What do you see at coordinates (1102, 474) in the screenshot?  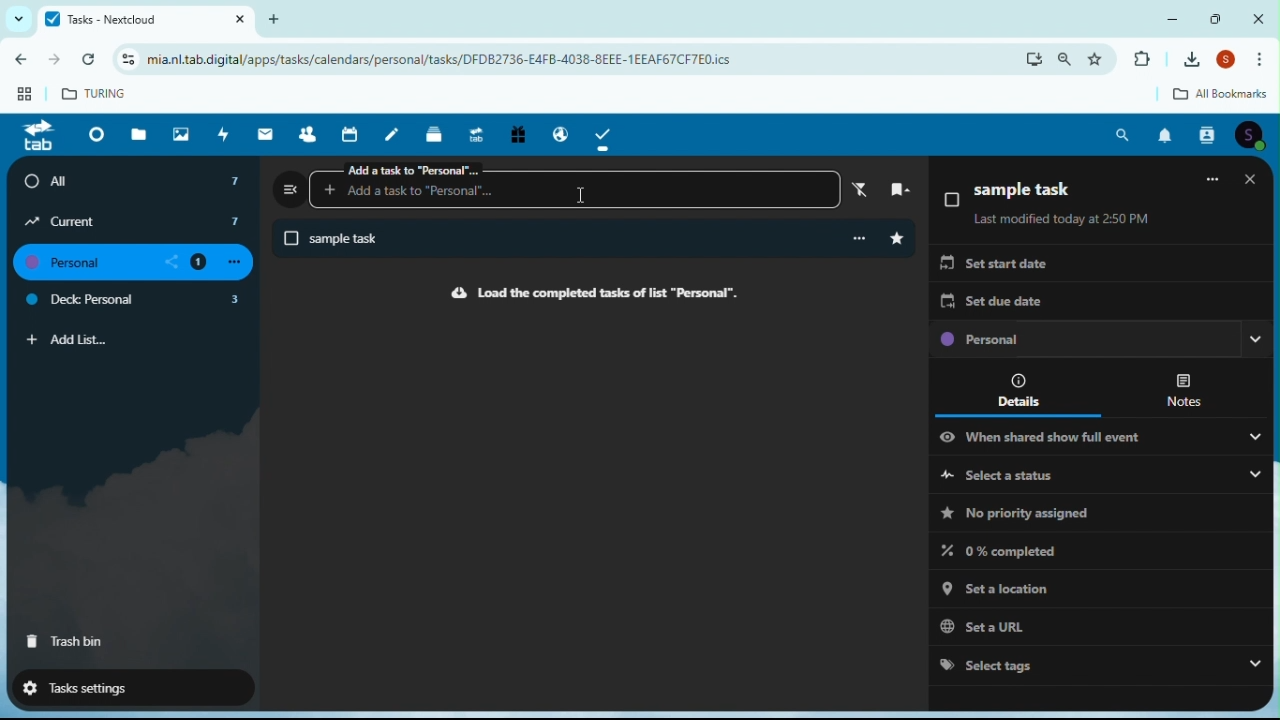 I see `` at bounding box center [1102, 474].